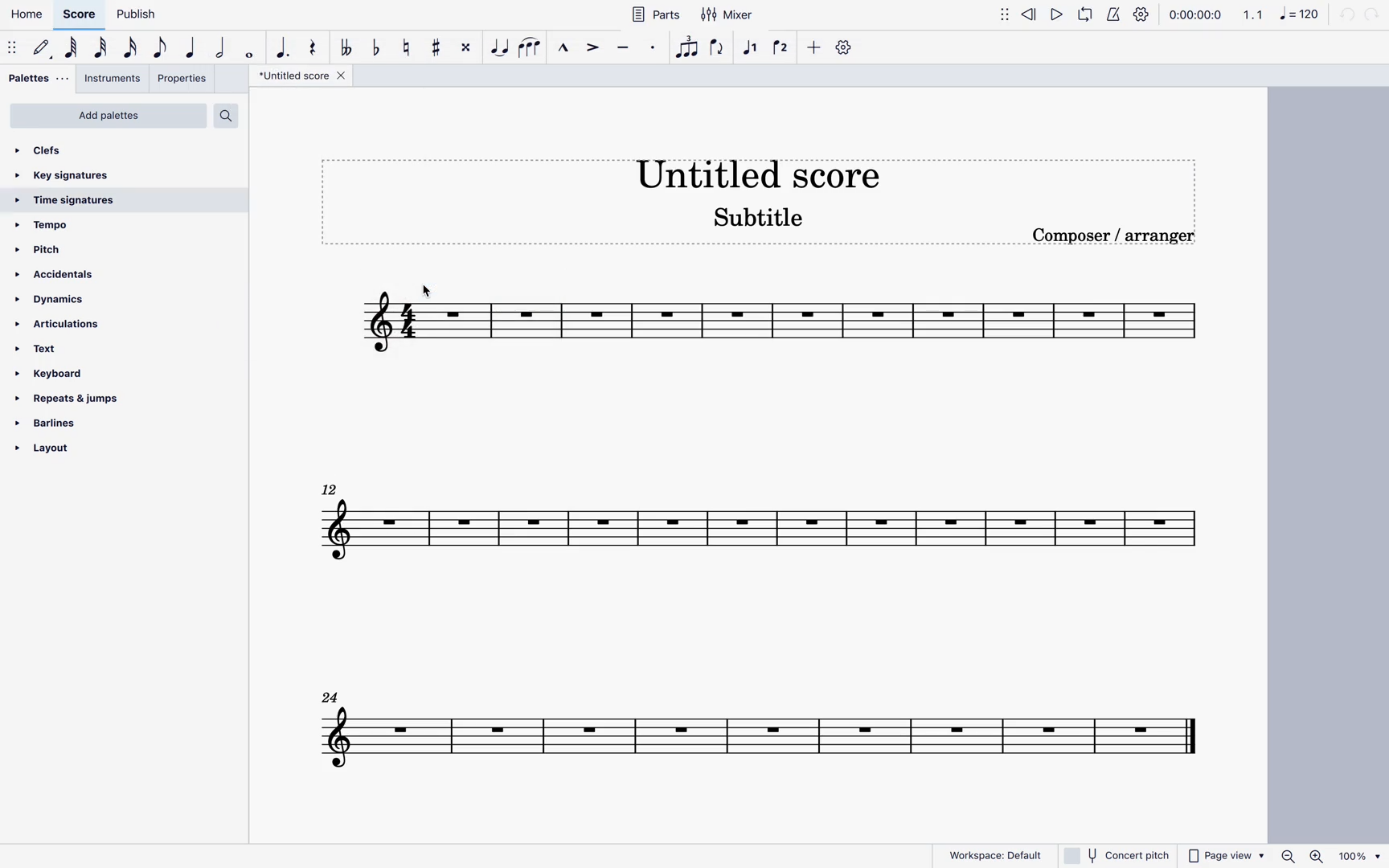 The height and width of the screenshot is (868, 1389). Describe the element at coordinates (754, 219) in the screenshot. I see `score subtitle` at that location.